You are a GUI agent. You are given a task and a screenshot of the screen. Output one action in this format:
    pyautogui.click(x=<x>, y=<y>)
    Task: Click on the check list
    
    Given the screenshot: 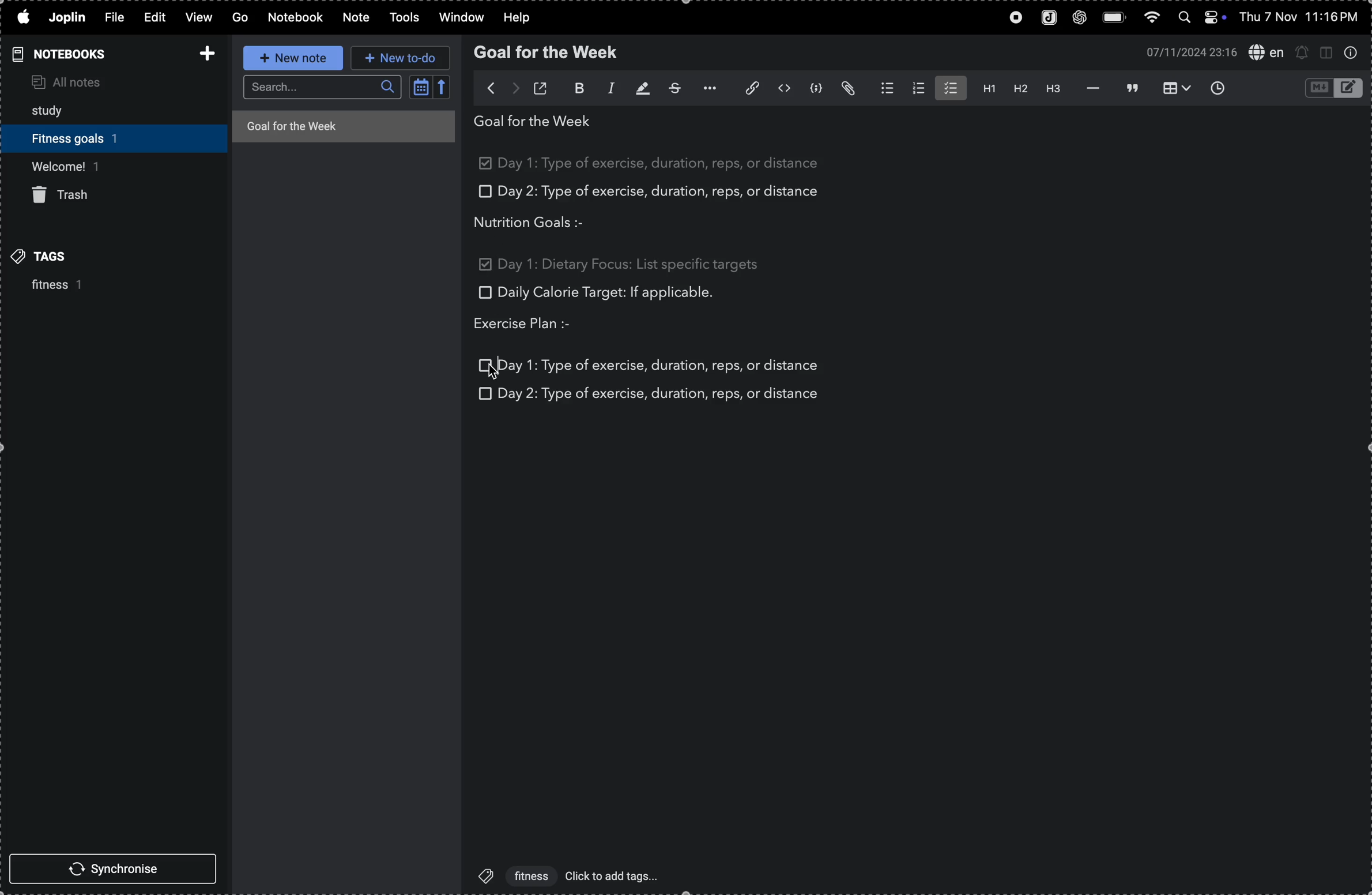 What is the action you would take?
    pyautogui.click(x=949, y=88)
    